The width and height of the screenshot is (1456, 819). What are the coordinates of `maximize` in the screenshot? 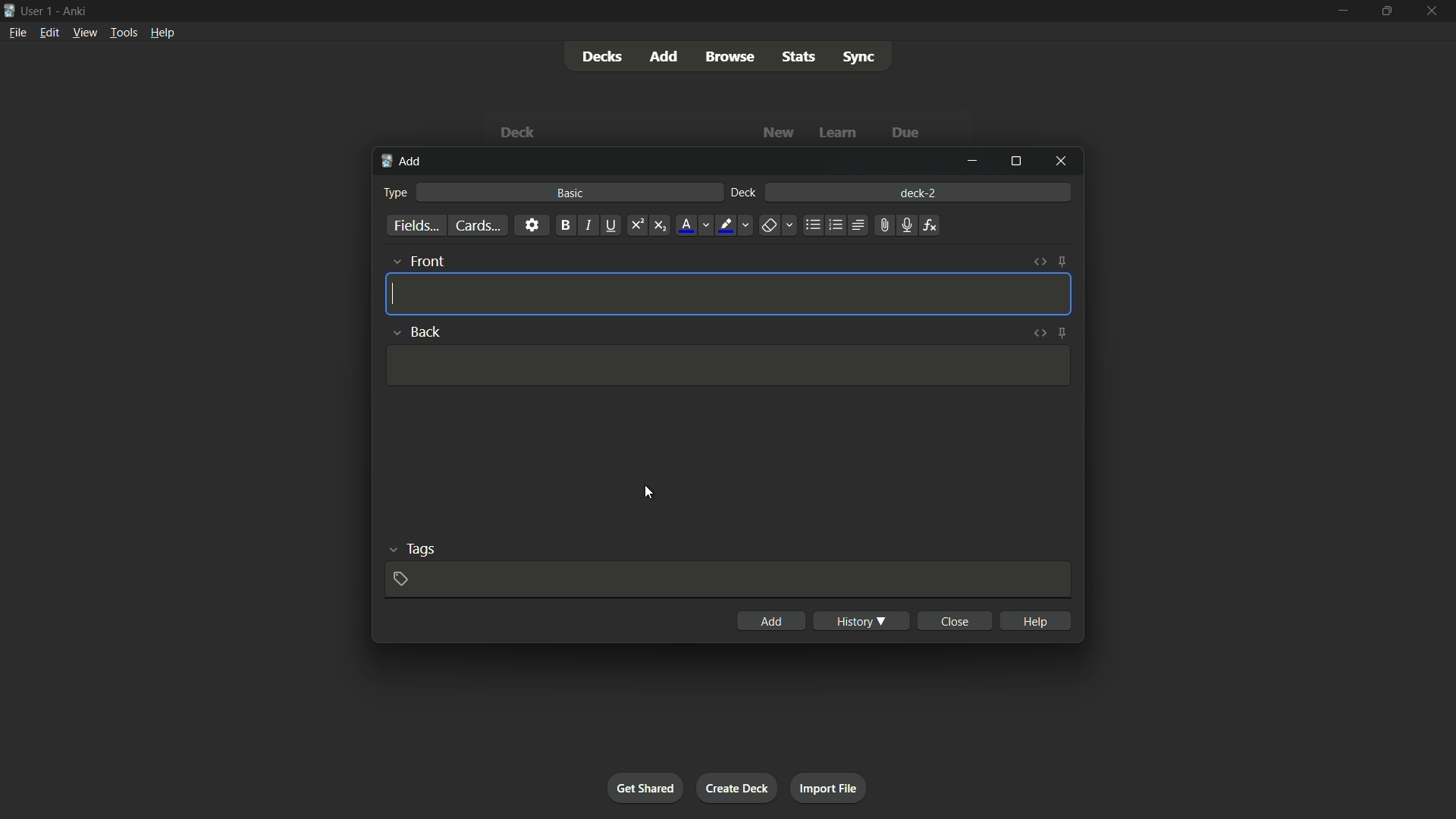 It's located at (1385, 11).